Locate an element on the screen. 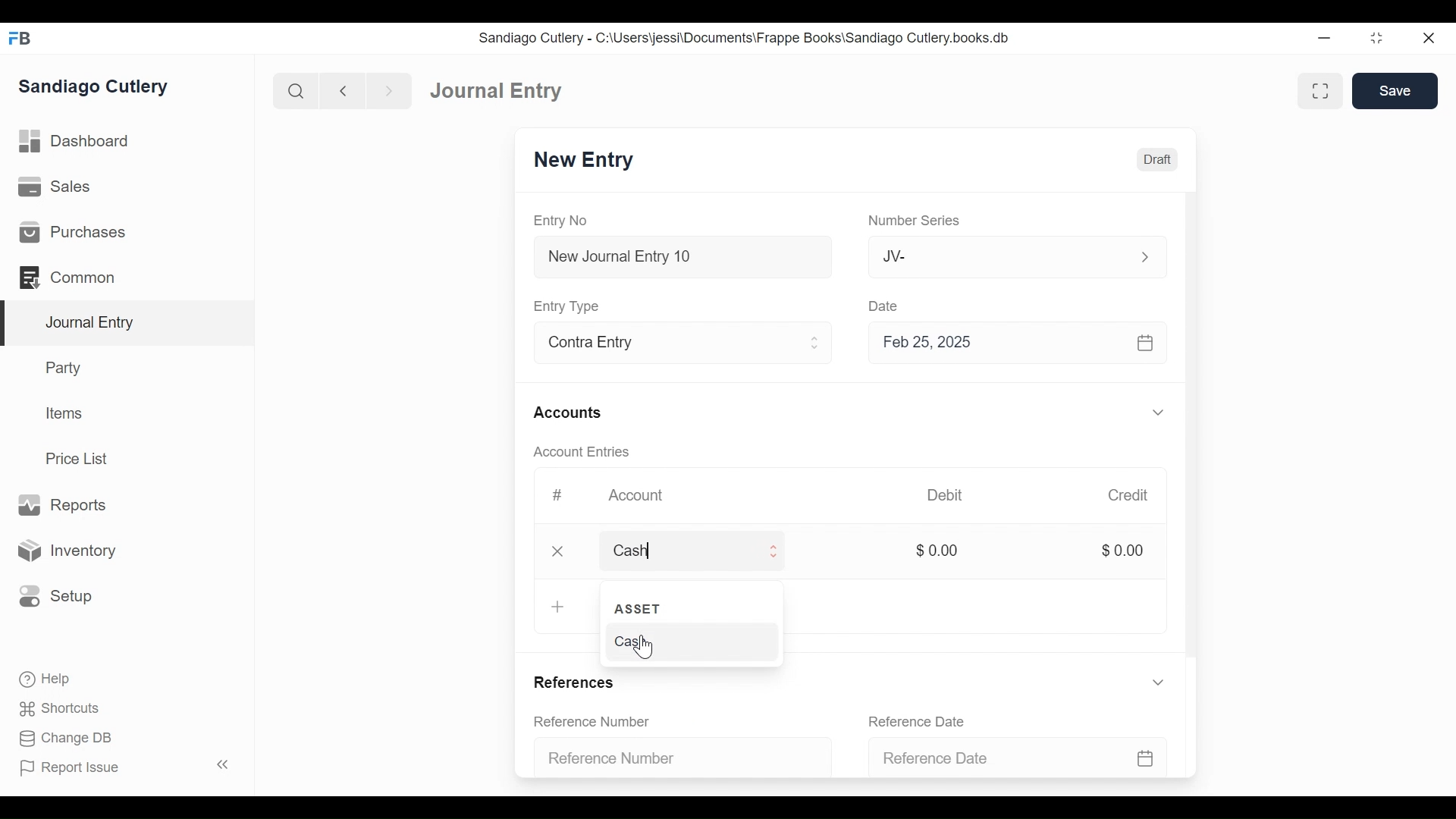 This screenshot has width=1456, height=819. Cursor is located at coordinates (646, 649).